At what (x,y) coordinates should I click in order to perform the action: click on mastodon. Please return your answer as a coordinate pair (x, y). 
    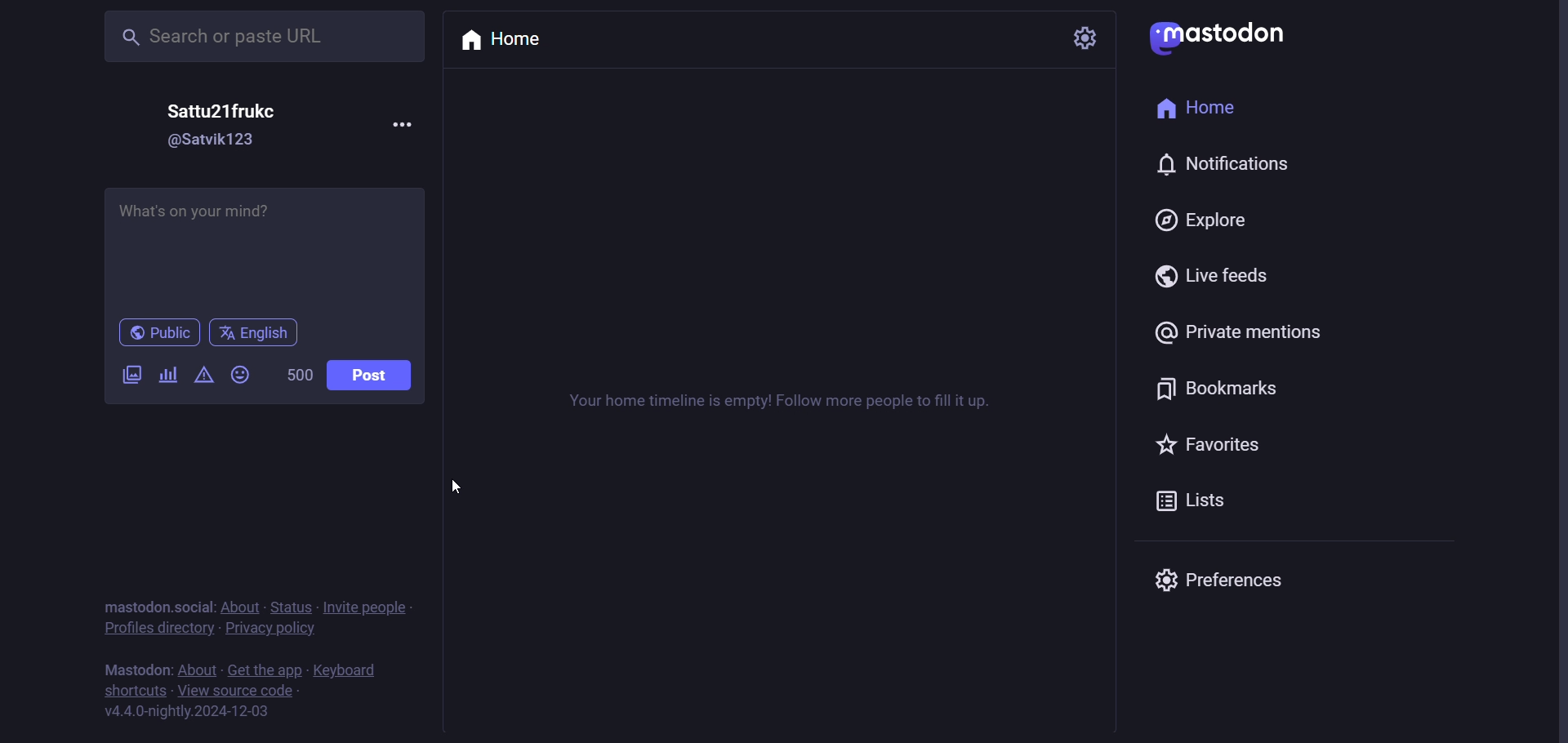
    Looking at the image, I should click on (131, 669).